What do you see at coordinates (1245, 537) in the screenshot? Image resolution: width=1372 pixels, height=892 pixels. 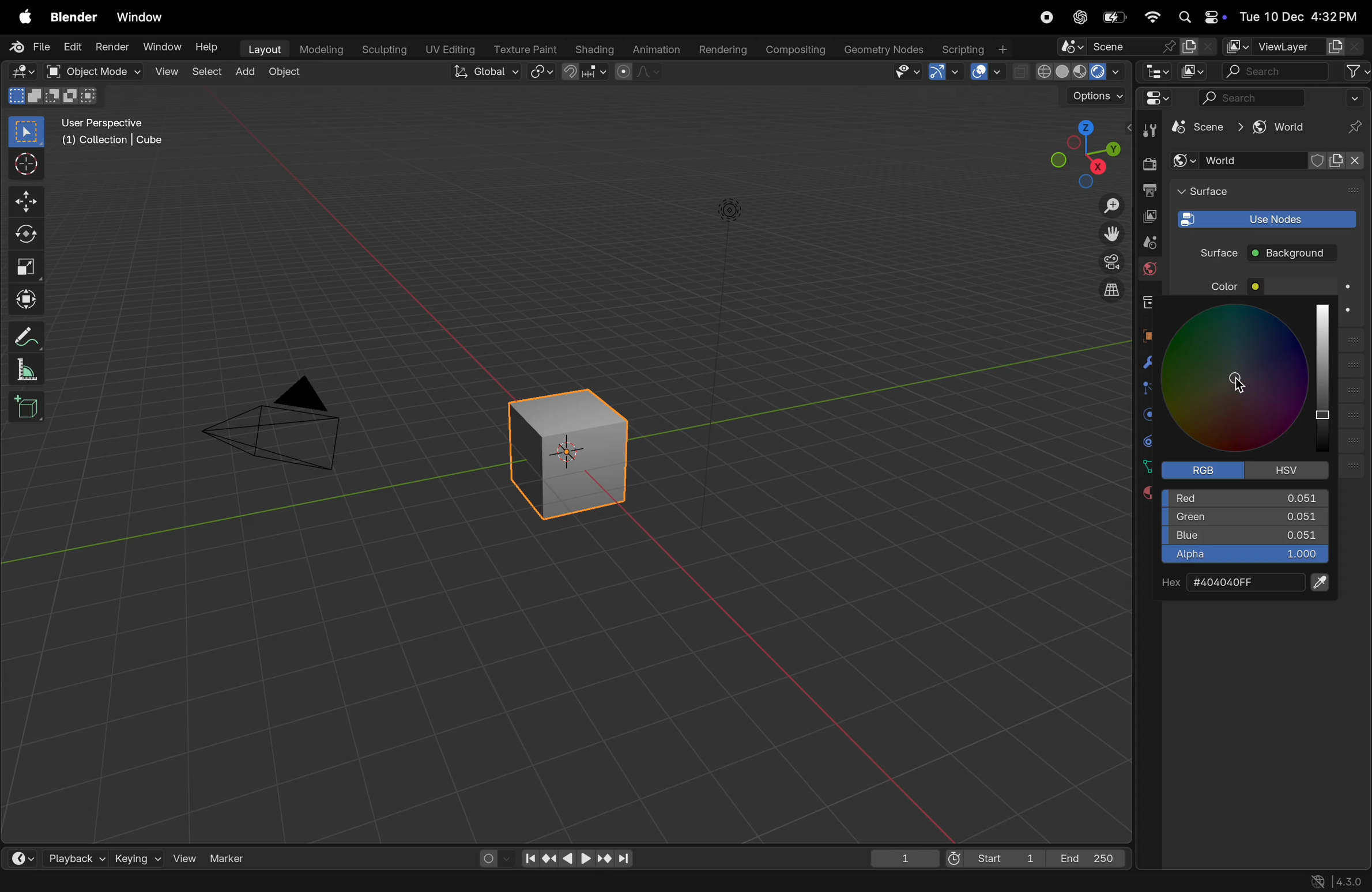 I see `blue` at bounding box center [1245, 537].